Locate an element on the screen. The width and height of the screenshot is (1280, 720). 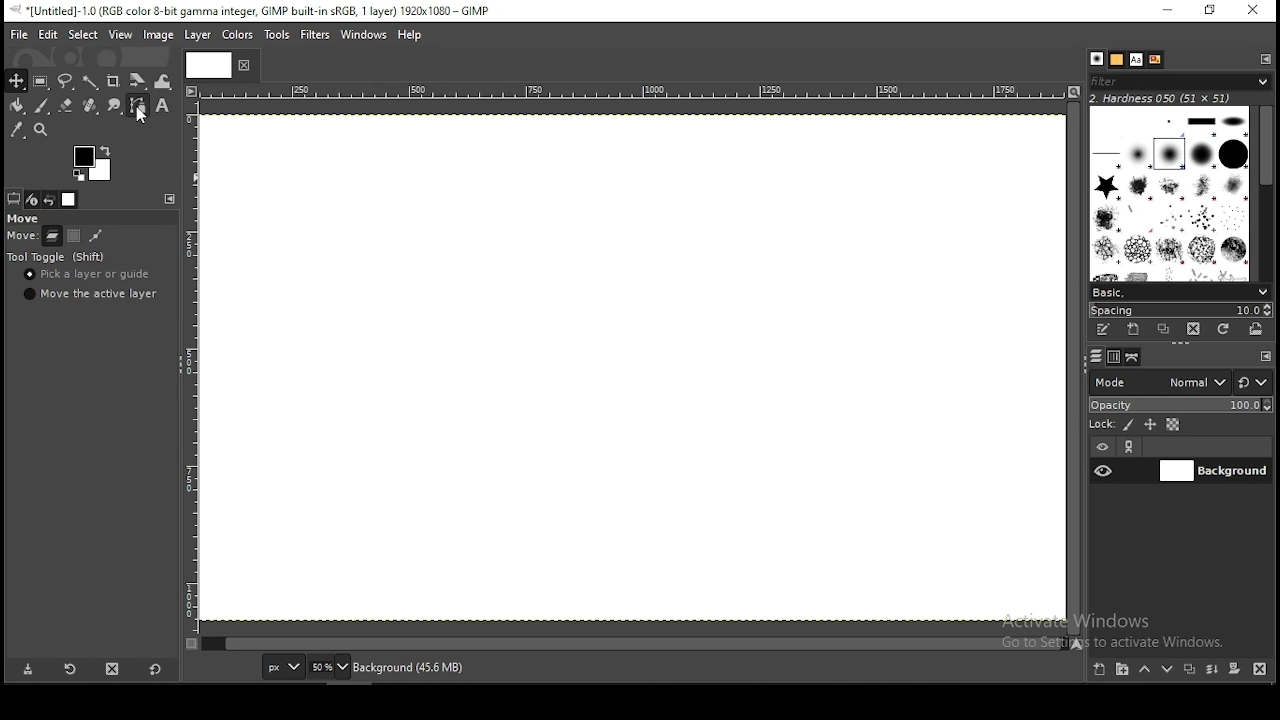
minimize is located at coordinates (1169, 10).